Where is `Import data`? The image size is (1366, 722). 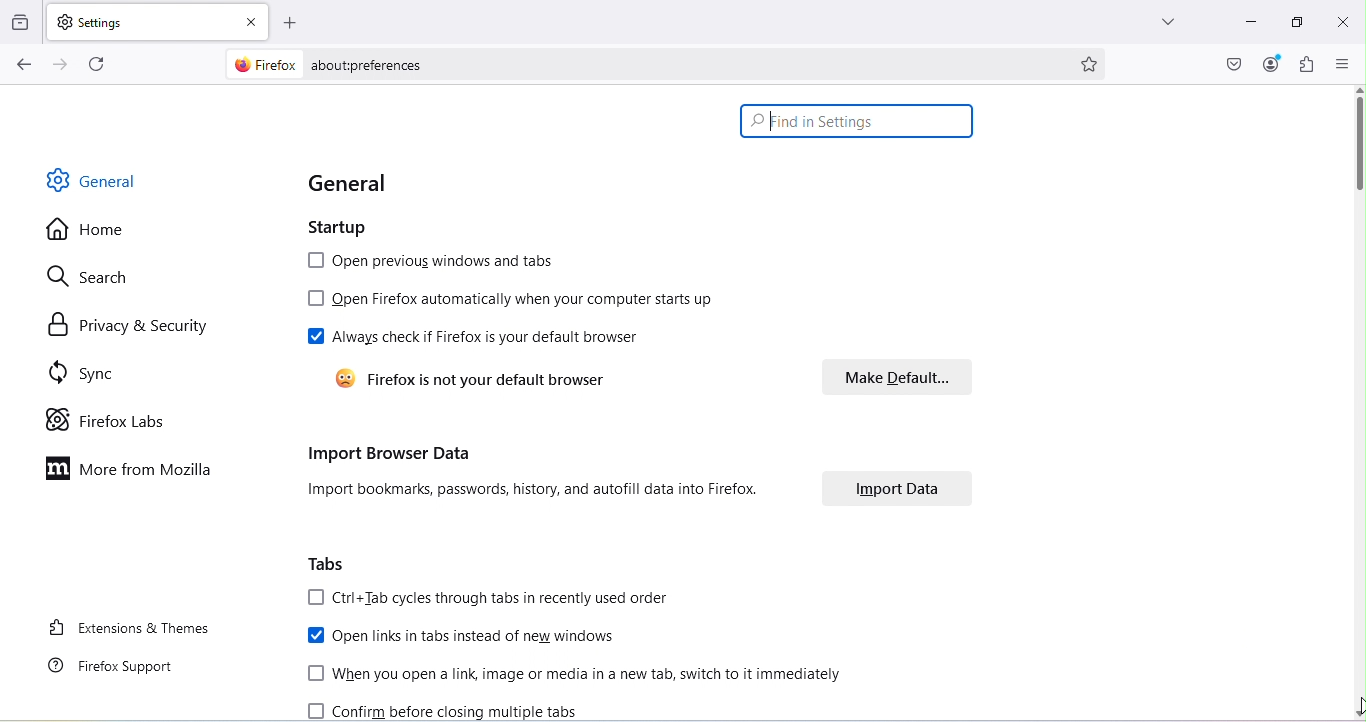 Import data is located at coordinates (897, 487).